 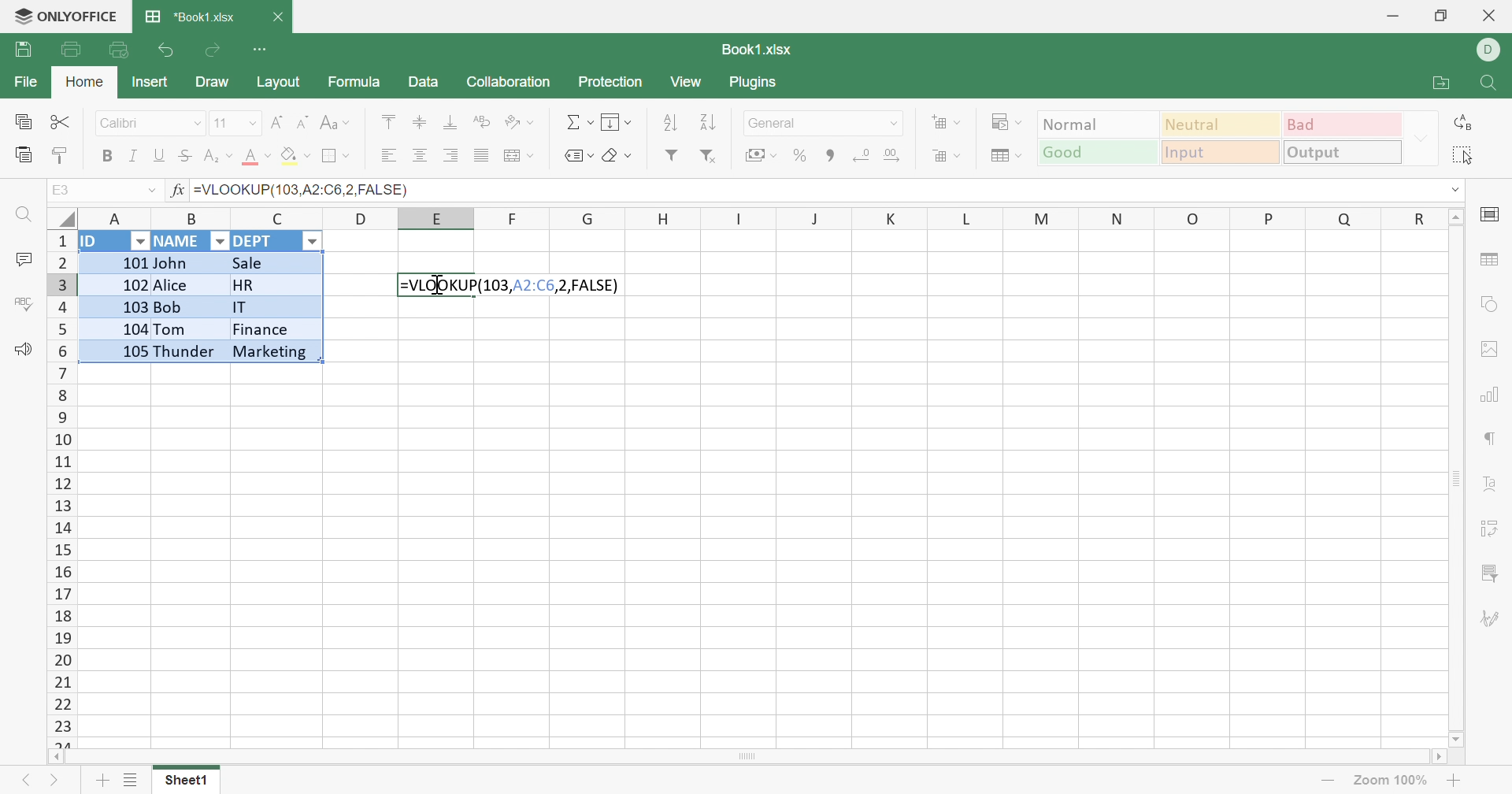 I want to click on Zoom In, so click(x=1454, y=781).